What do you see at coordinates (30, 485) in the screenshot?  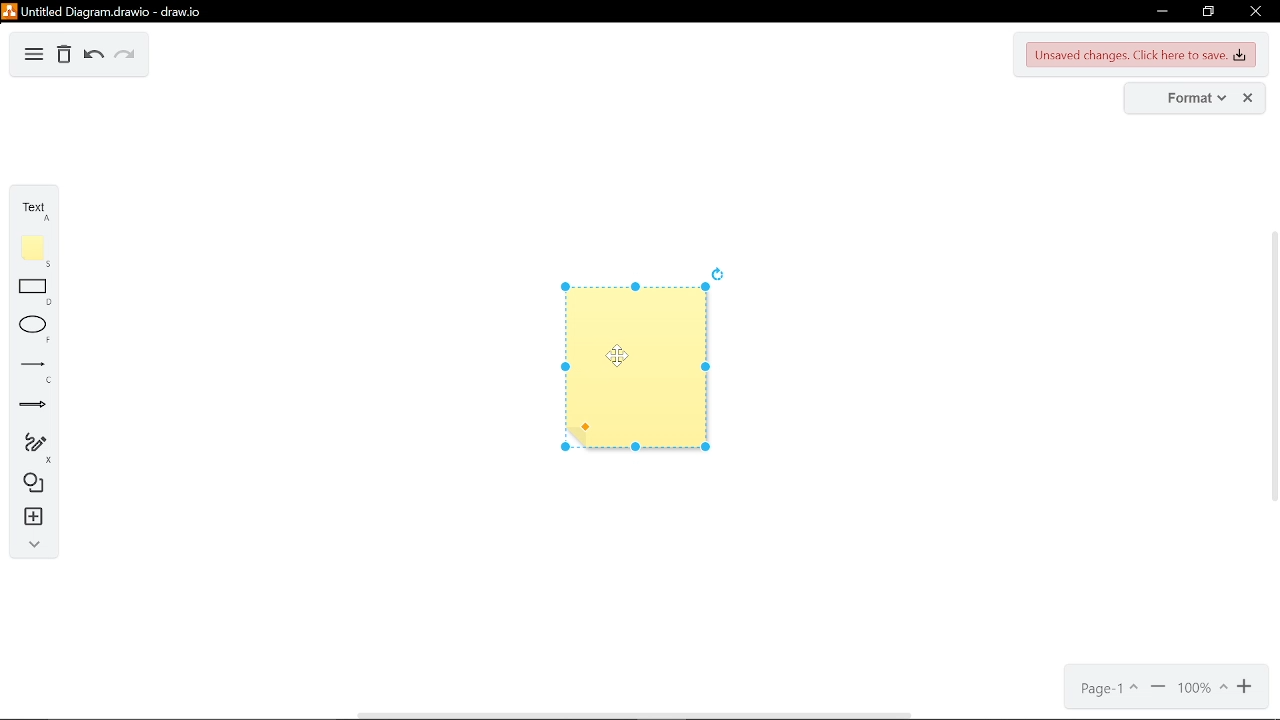 I see `shapes` at bounding box center [30, 485].